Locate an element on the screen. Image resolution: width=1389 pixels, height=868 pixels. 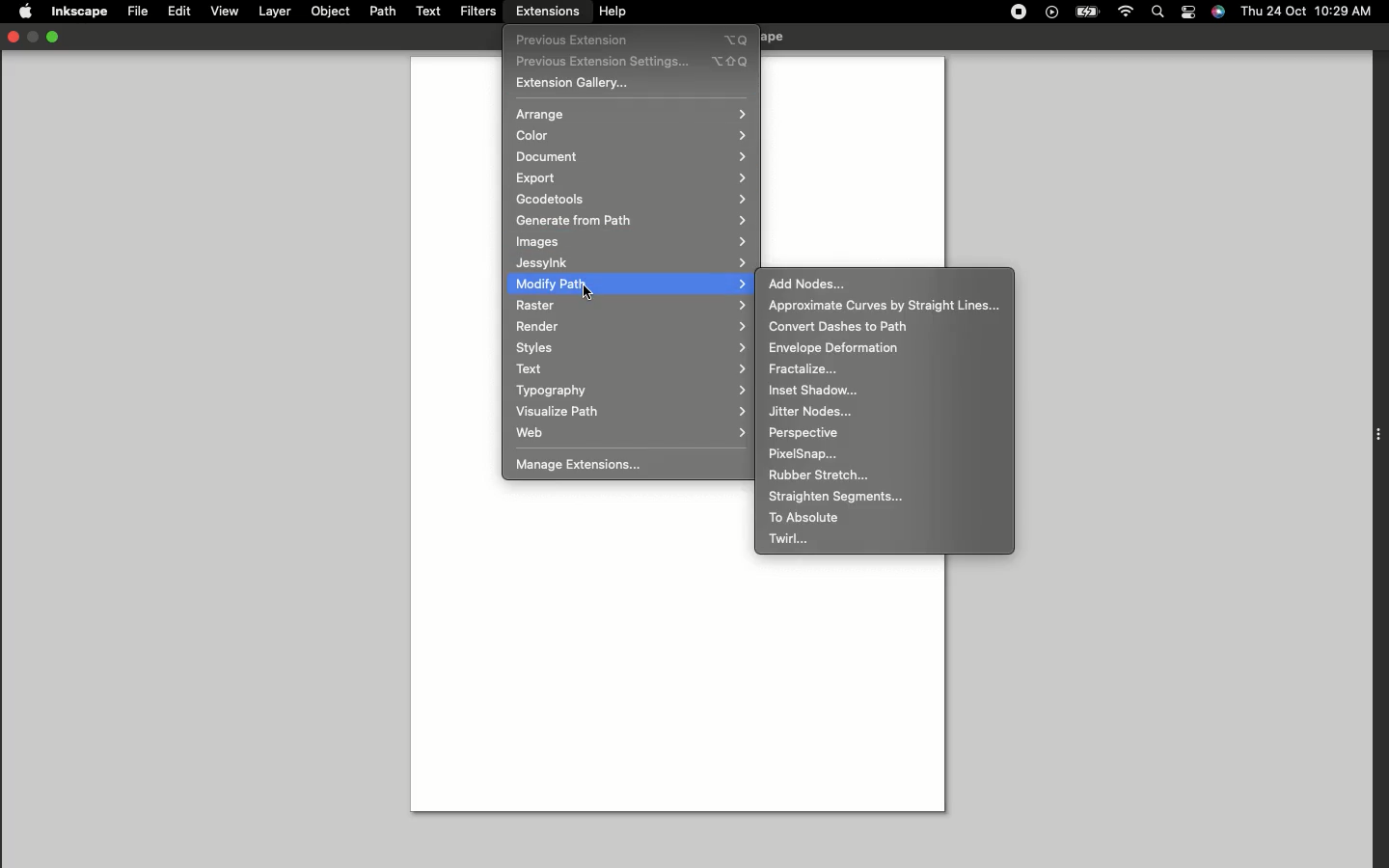
Notification bar is located at coordinates (1188, 13).